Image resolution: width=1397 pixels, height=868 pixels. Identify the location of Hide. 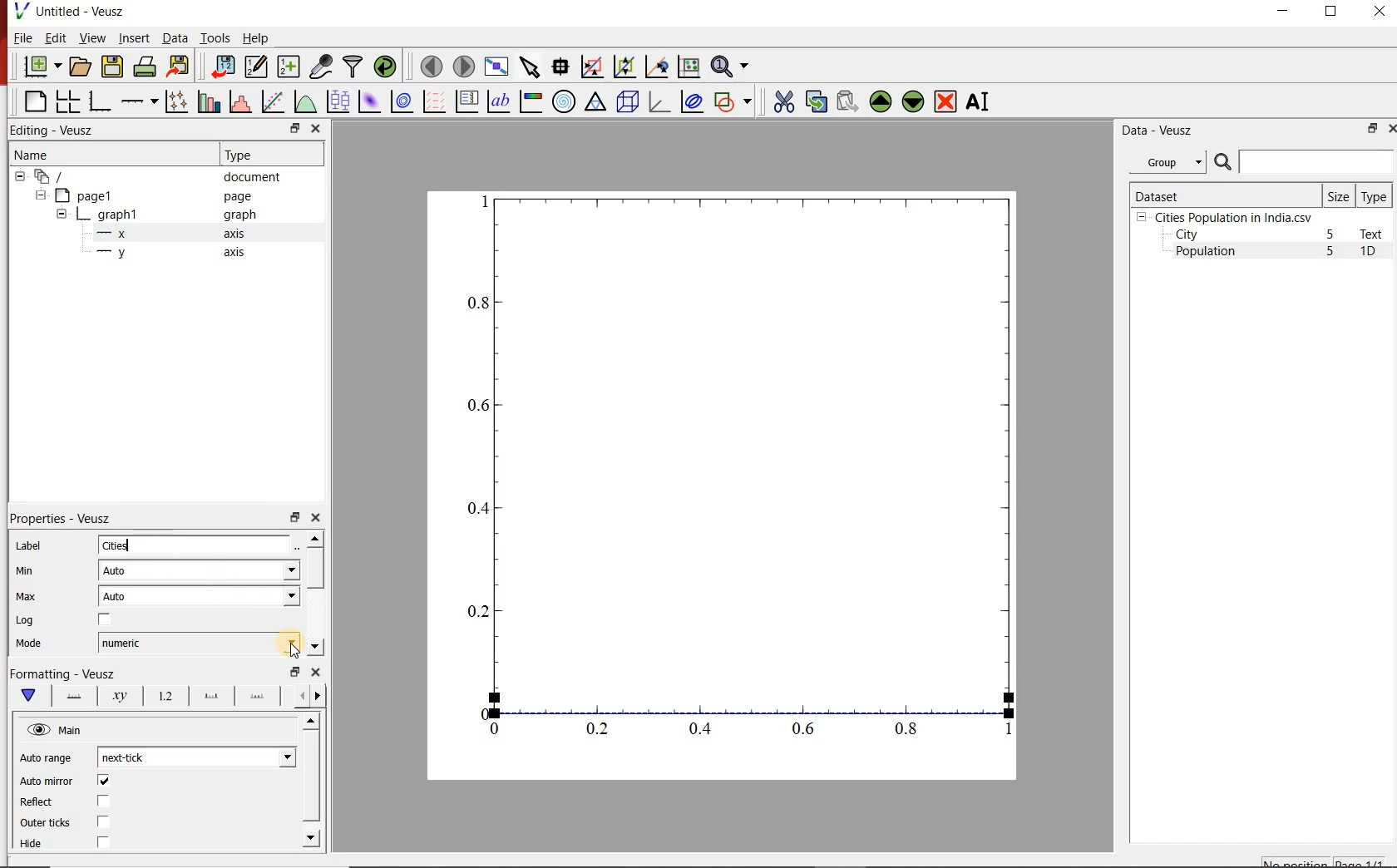
(39, 847).